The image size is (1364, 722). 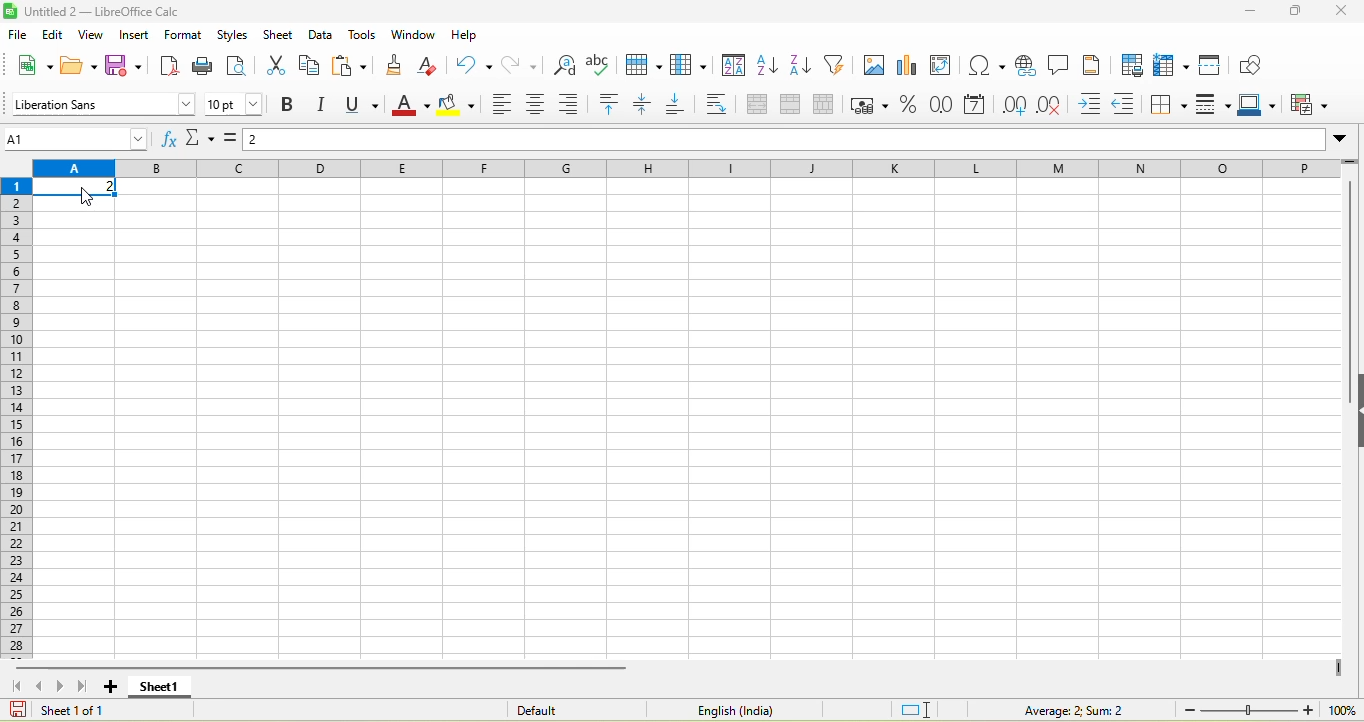 What do you see at coordinates (789, 140) in the screenshot?
I see `formula bar` at bounding box center [789, 140].